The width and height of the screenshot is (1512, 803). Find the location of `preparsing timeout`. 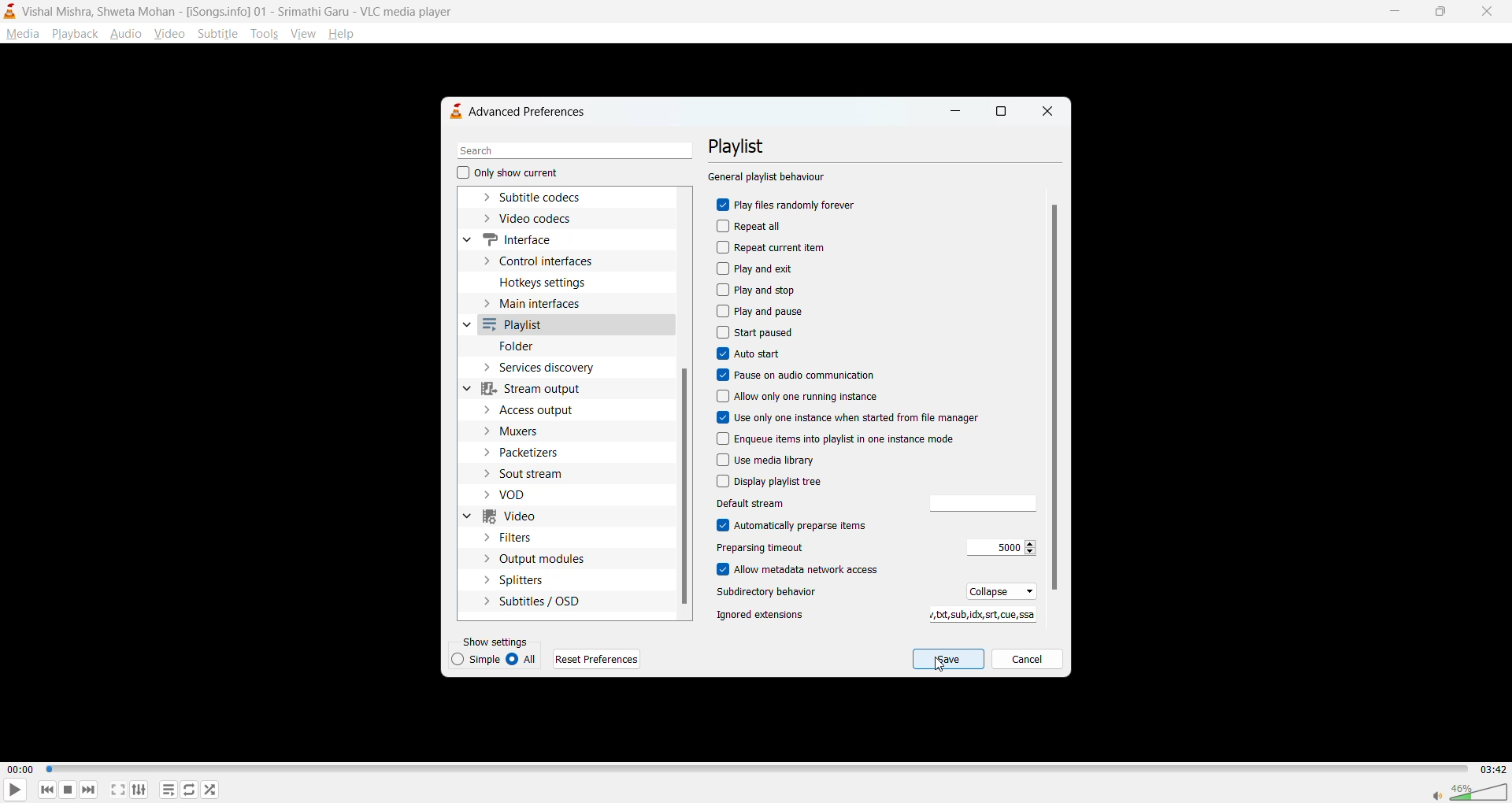

preparsing timeout is located at coordinates (997, 548).